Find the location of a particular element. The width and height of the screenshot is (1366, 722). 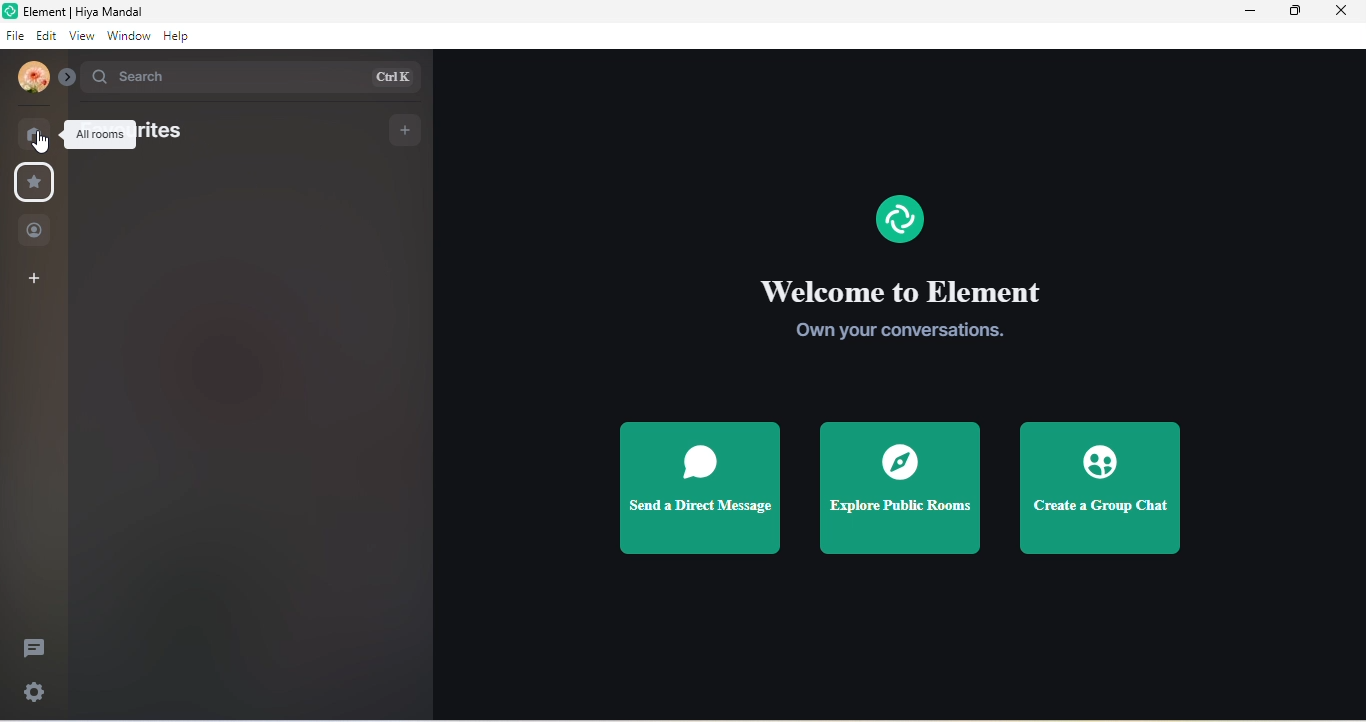

account is located at coordinates (33, 77).